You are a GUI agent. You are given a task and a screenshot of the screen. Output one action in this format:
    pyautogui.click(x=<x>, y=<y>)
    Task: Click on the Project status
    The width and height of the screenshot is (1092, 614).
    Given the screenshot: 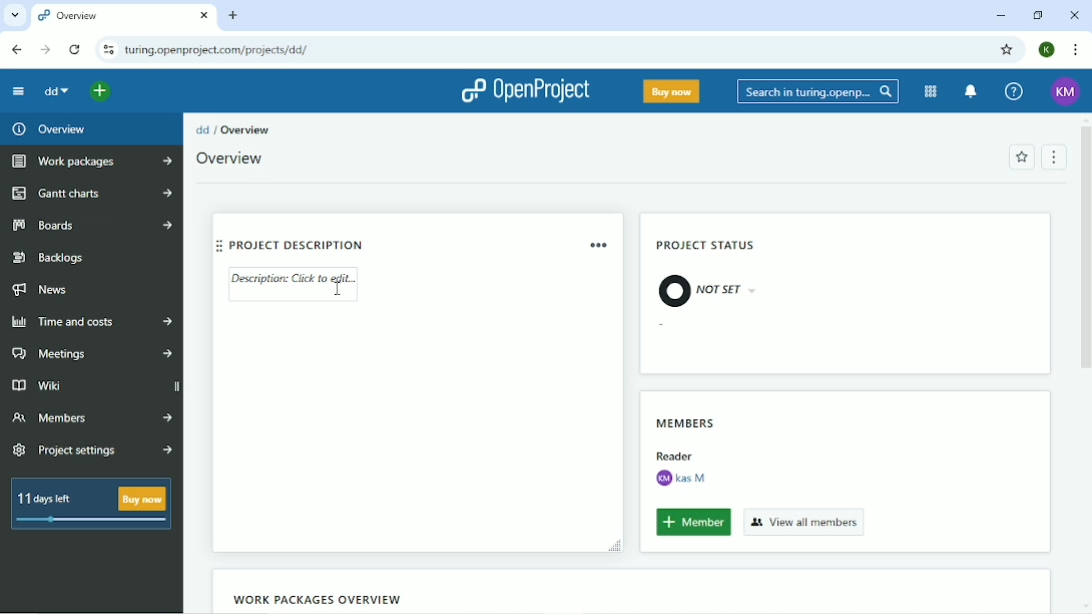 What is the action you would take?
    pyautogui.click(x=708, y=247)
    